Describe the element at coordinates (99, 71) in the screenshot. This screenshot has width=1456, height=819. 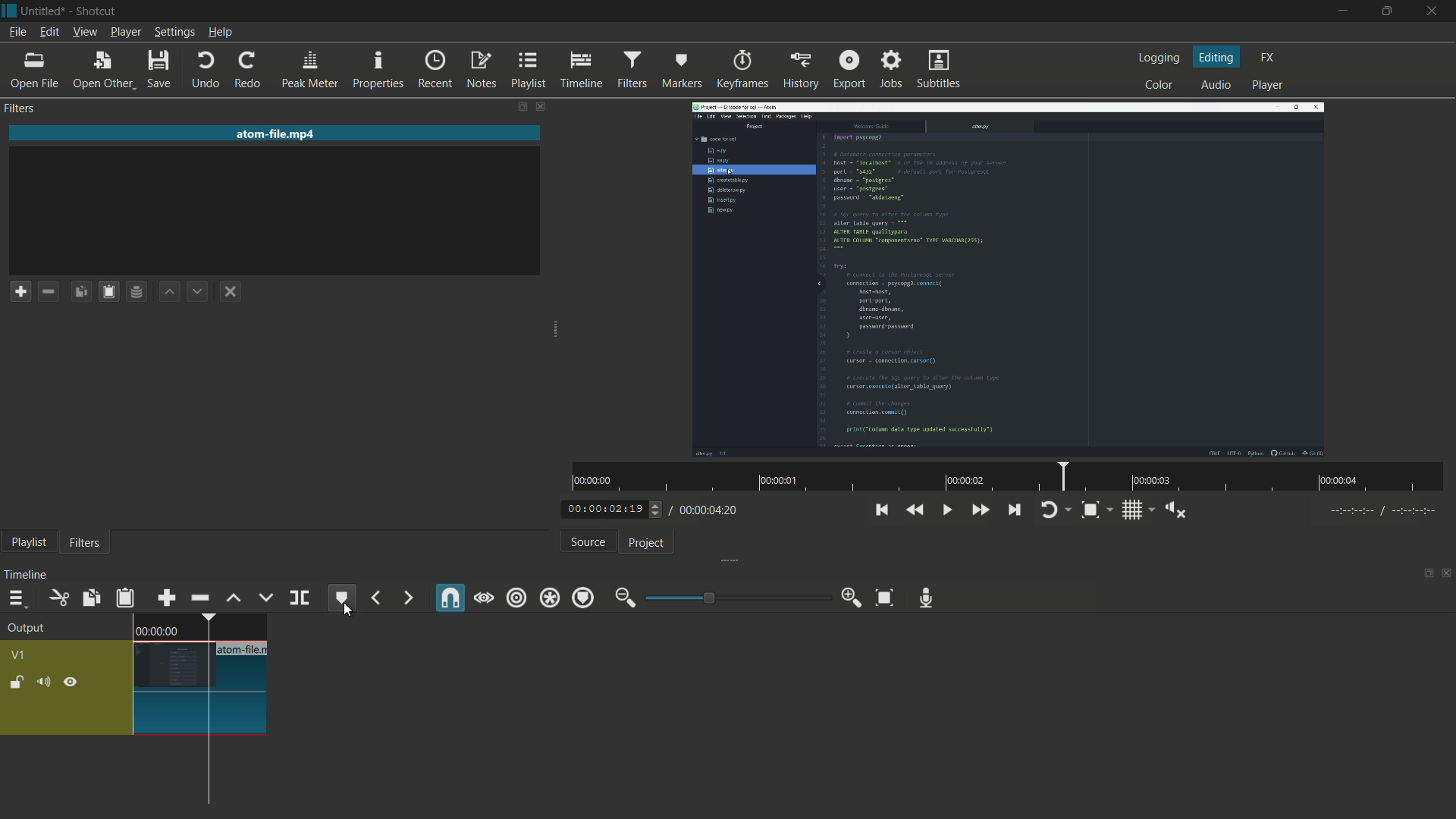
I see `open other` at that location.